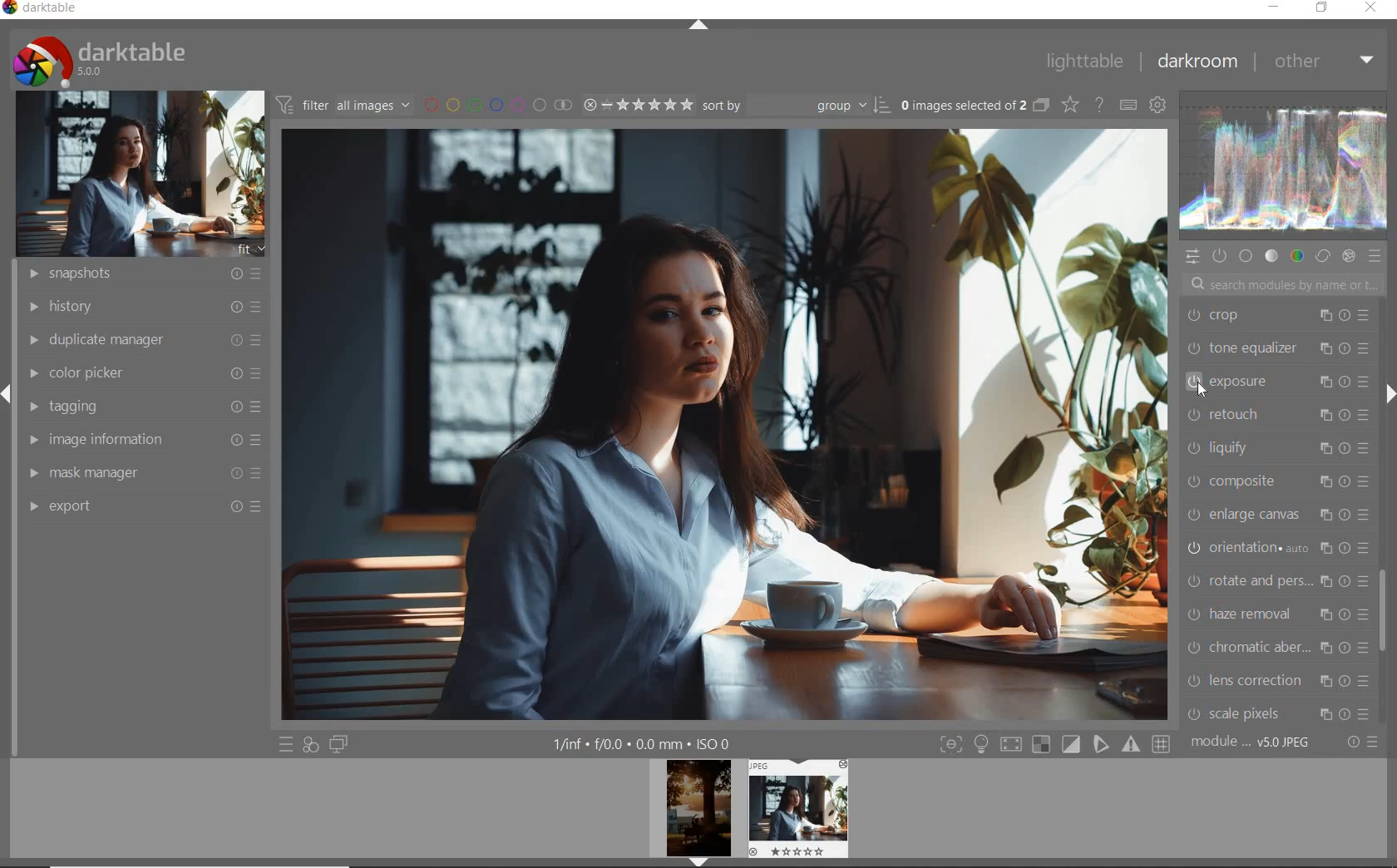 The width and height of the screenshot is (1397, 868). Describe the element at coordinates (42, 11) in the screenshot. I see `SYSTEM NAME` at that location.